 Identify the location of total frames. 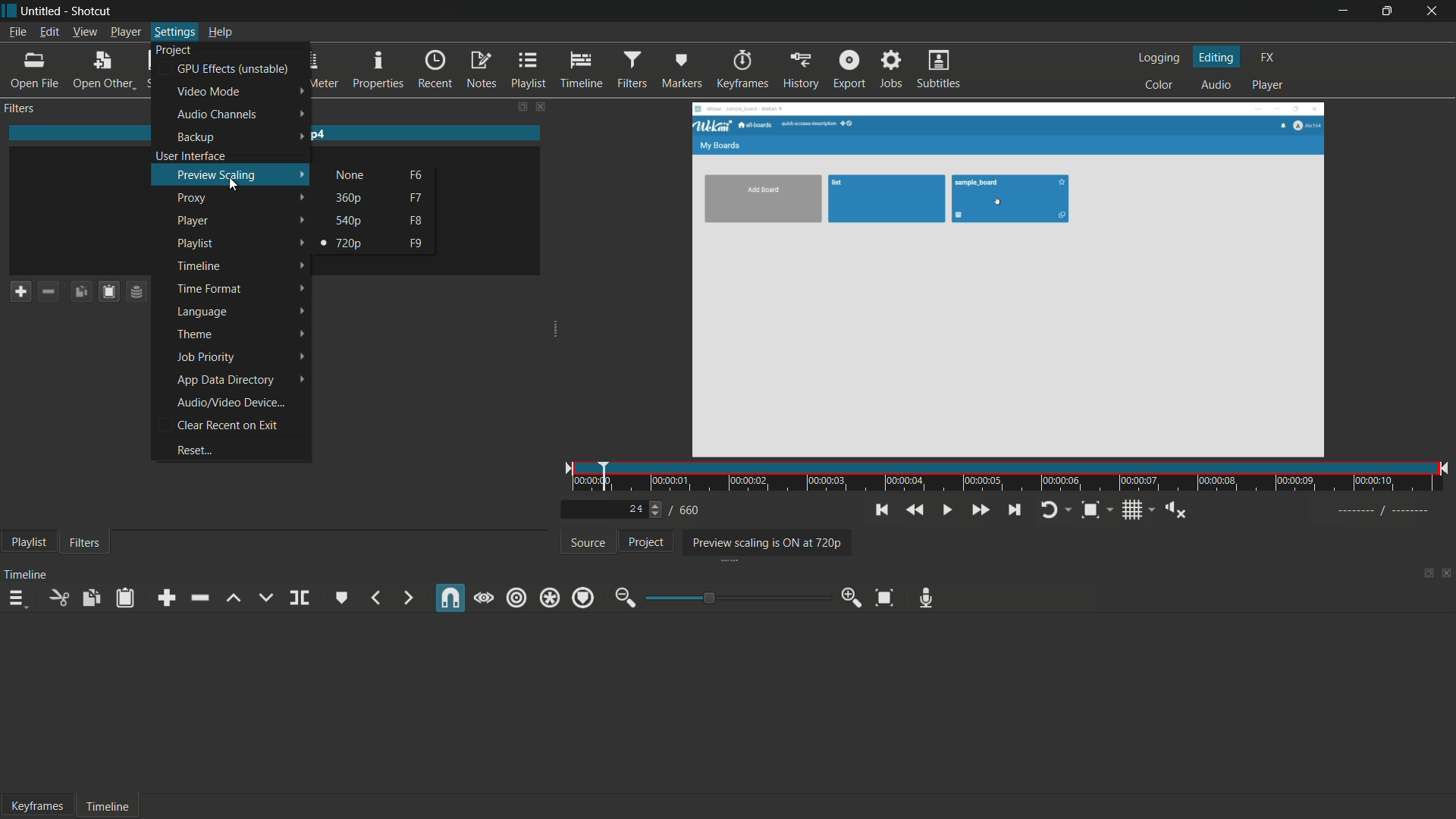
(689, 510).